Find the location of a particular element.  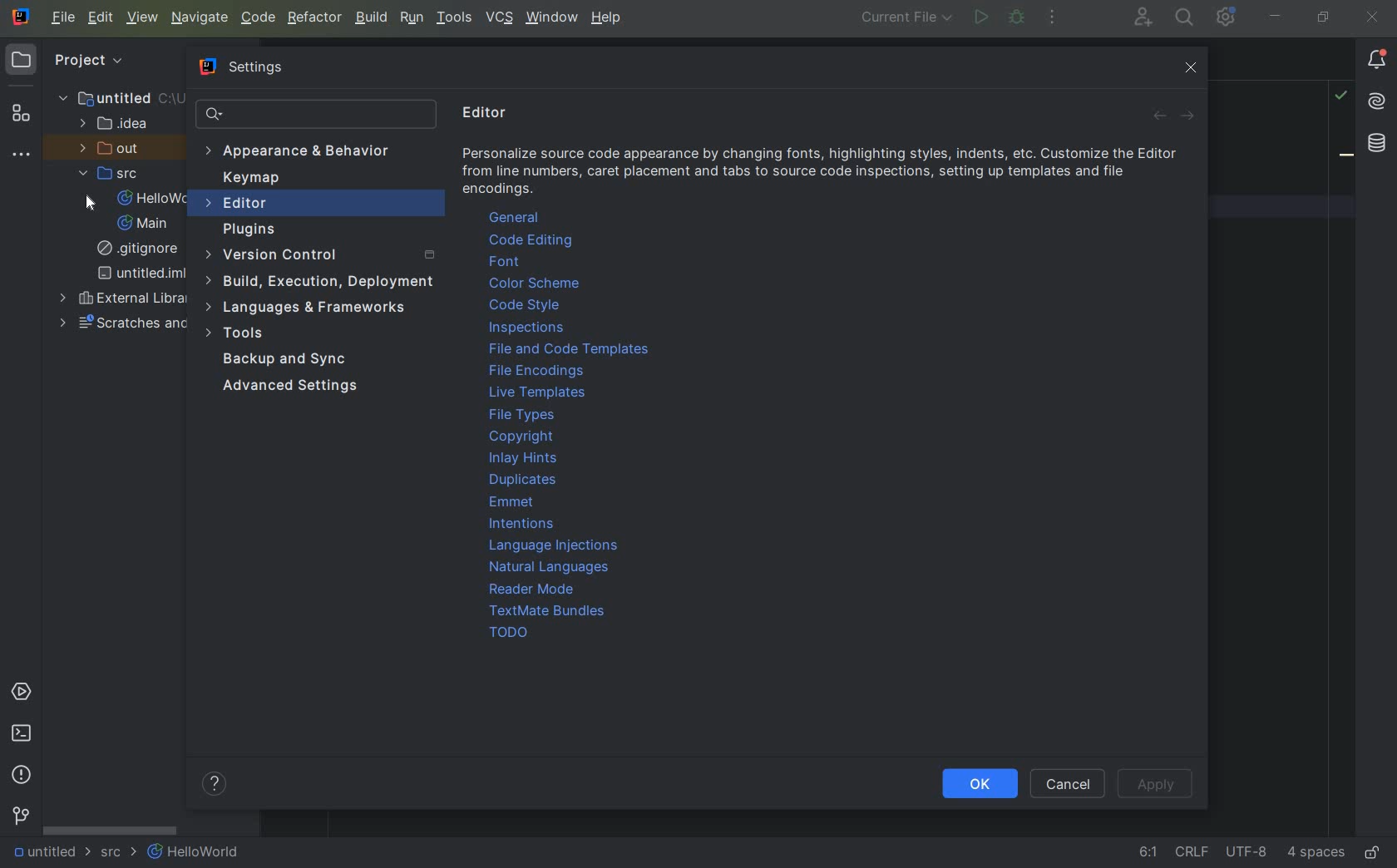

Structure is located at coordinates (22, 116).